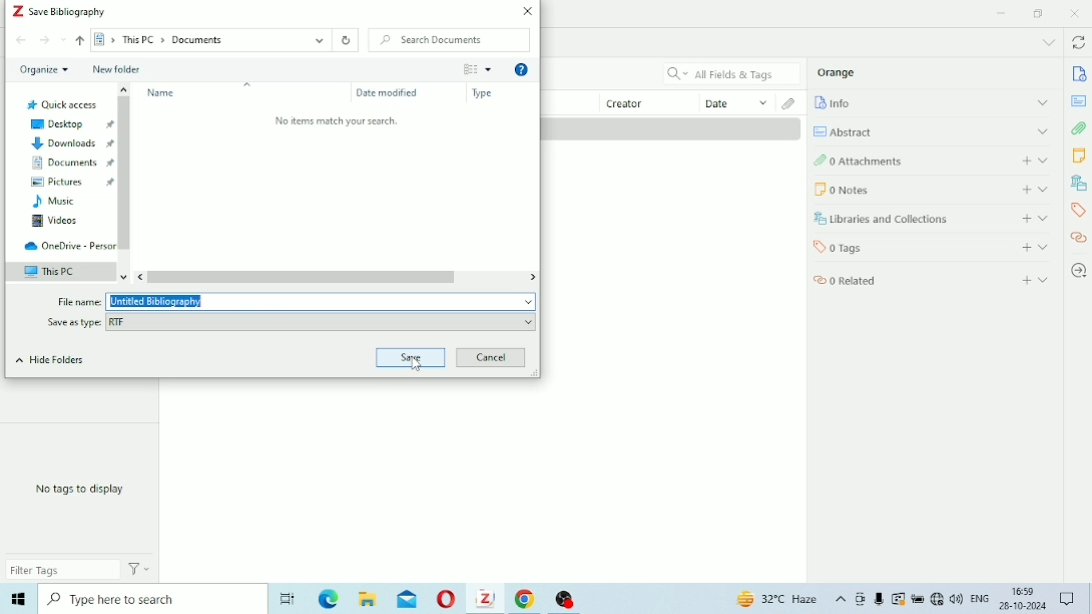 This screenshot has height=614, width=1092. I want to click on Save Bibliography, so click(59, 11).